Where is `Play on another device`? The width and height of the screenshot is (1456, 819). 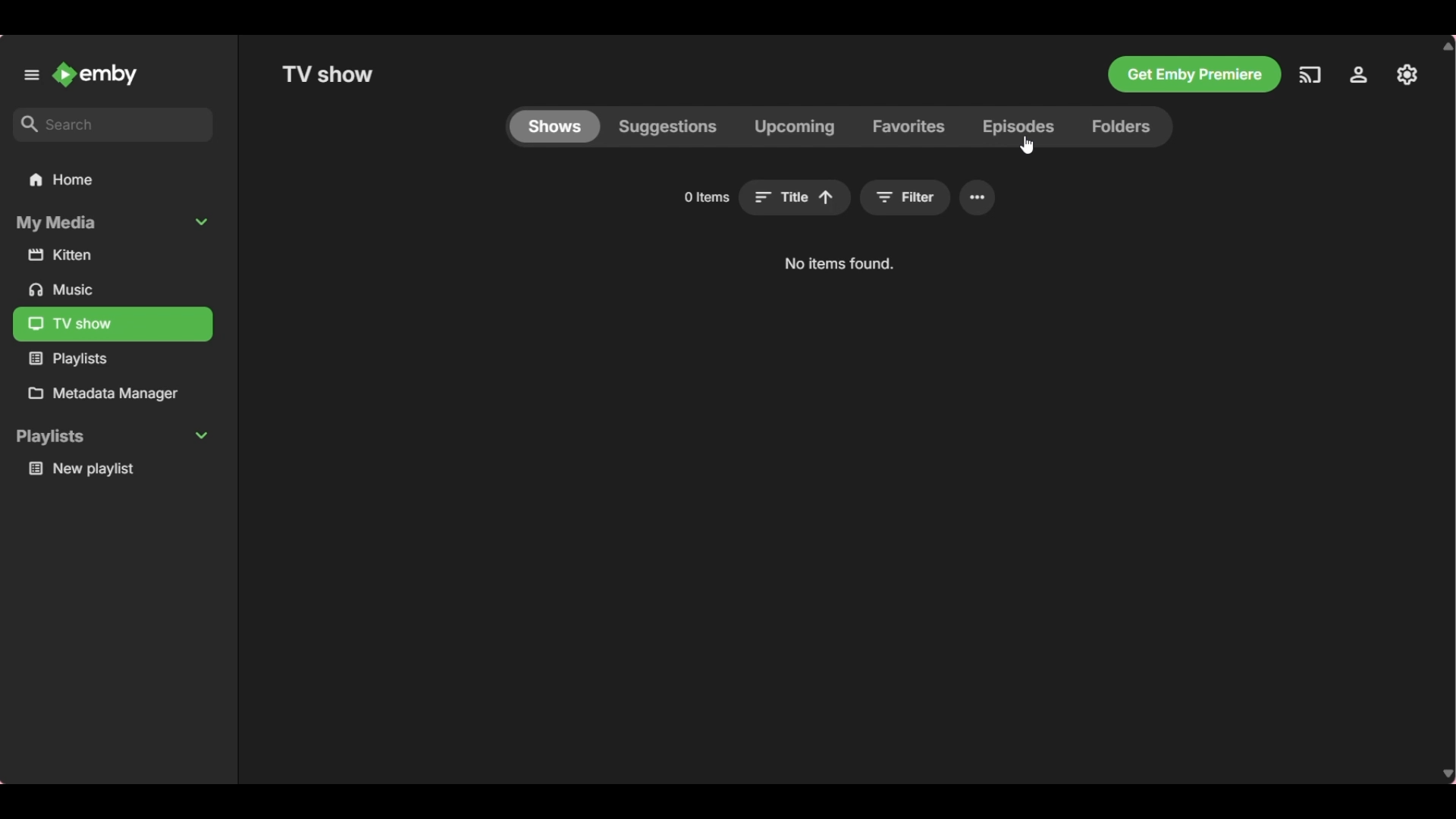
Play on another device is located at coordinates (1310, 75).